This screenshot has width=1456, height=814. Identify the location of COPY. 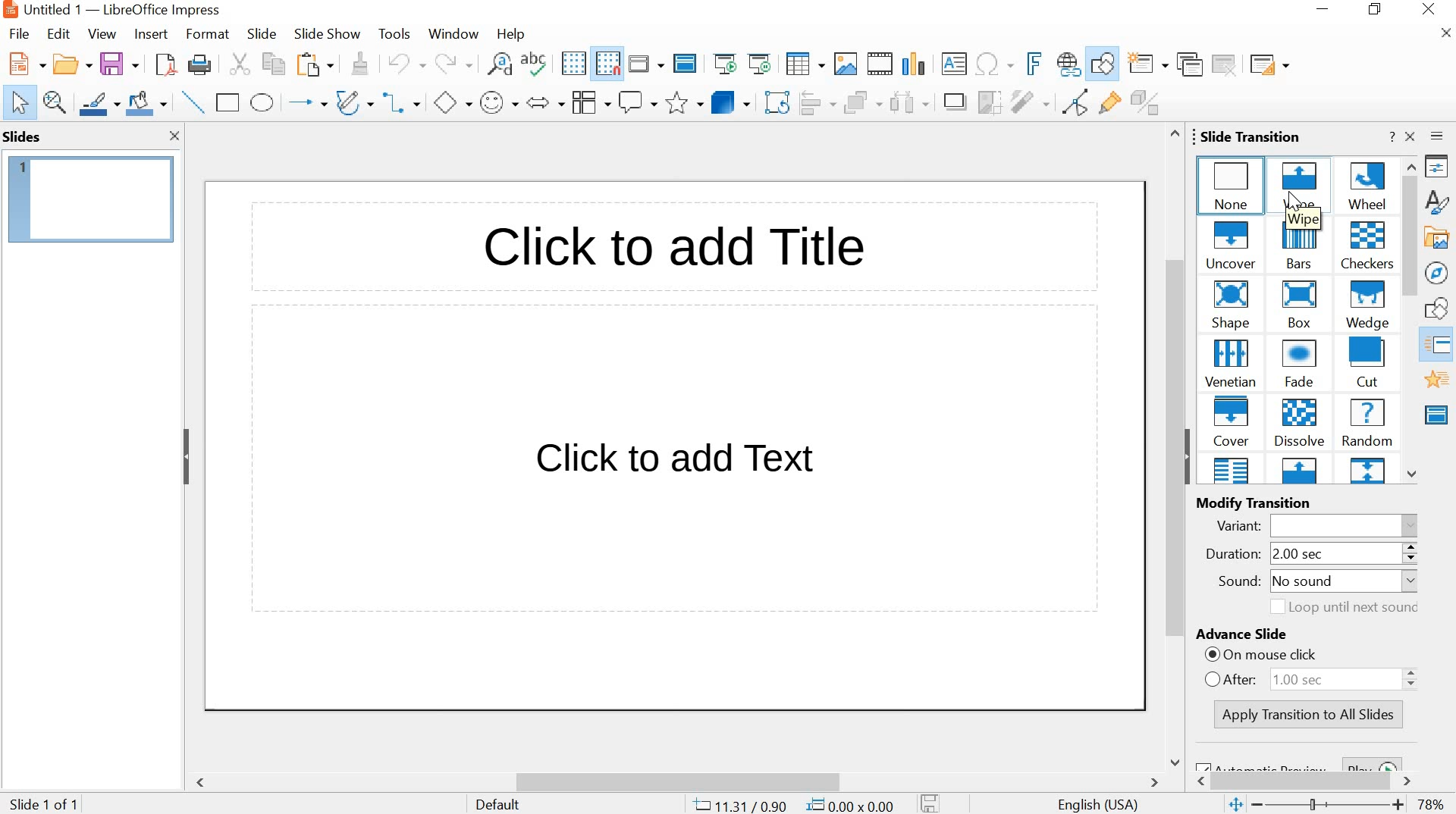
(277, 66).